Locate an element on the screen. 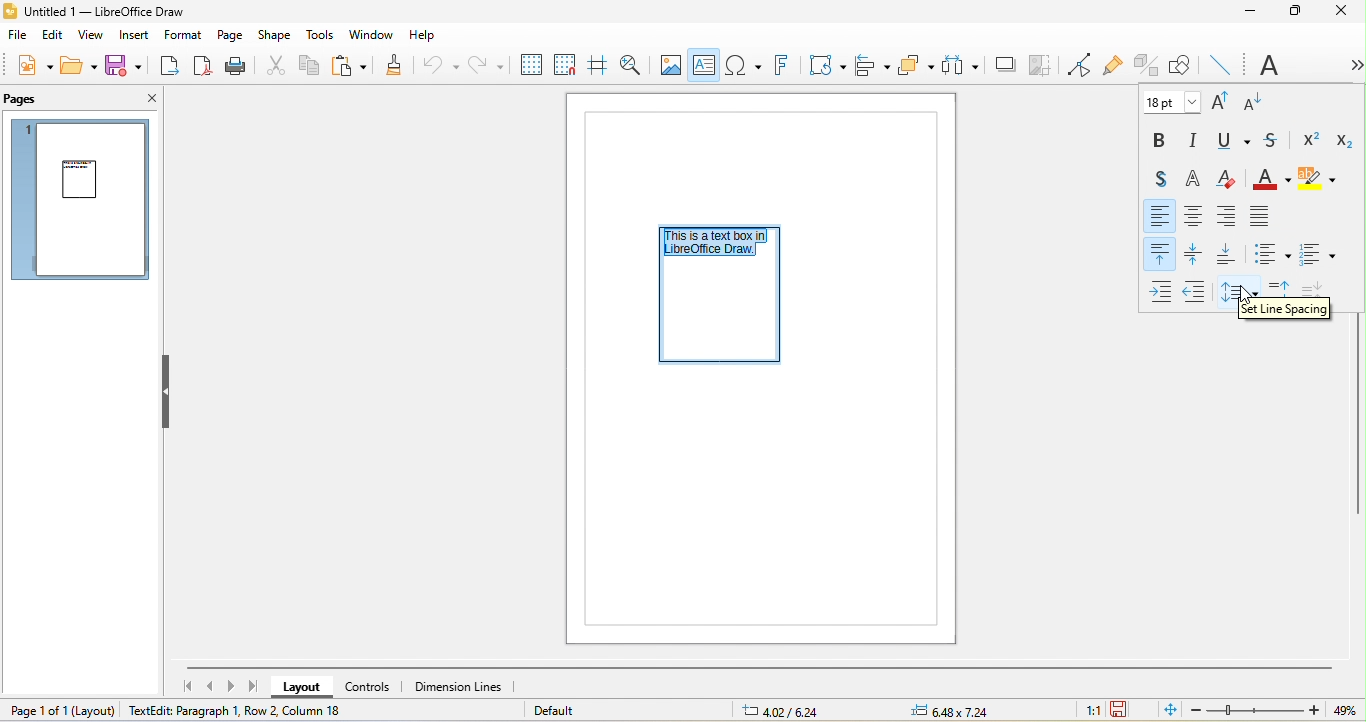 Image resolution: width=1366 pixels, height=722 pixels. increase paragraph spacing is located at coordinates (1279, 287).